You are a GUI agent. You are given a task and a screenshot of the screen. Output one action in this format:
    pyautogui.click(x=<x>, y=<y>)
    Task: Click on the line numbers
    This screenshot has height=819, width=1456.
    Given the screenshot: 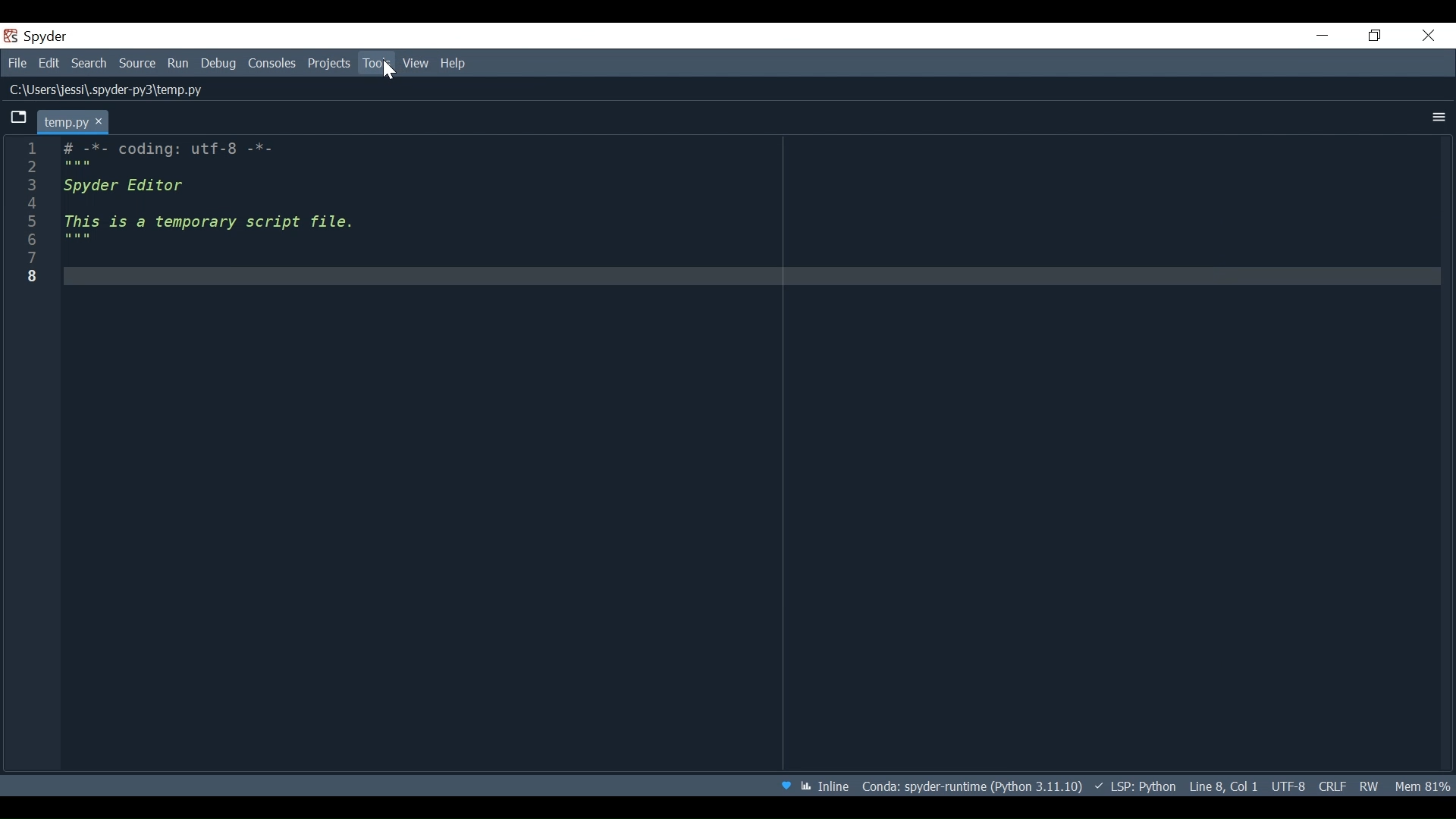 What is the action you would take?
    pyautogui.click(x=29, y=215)
    